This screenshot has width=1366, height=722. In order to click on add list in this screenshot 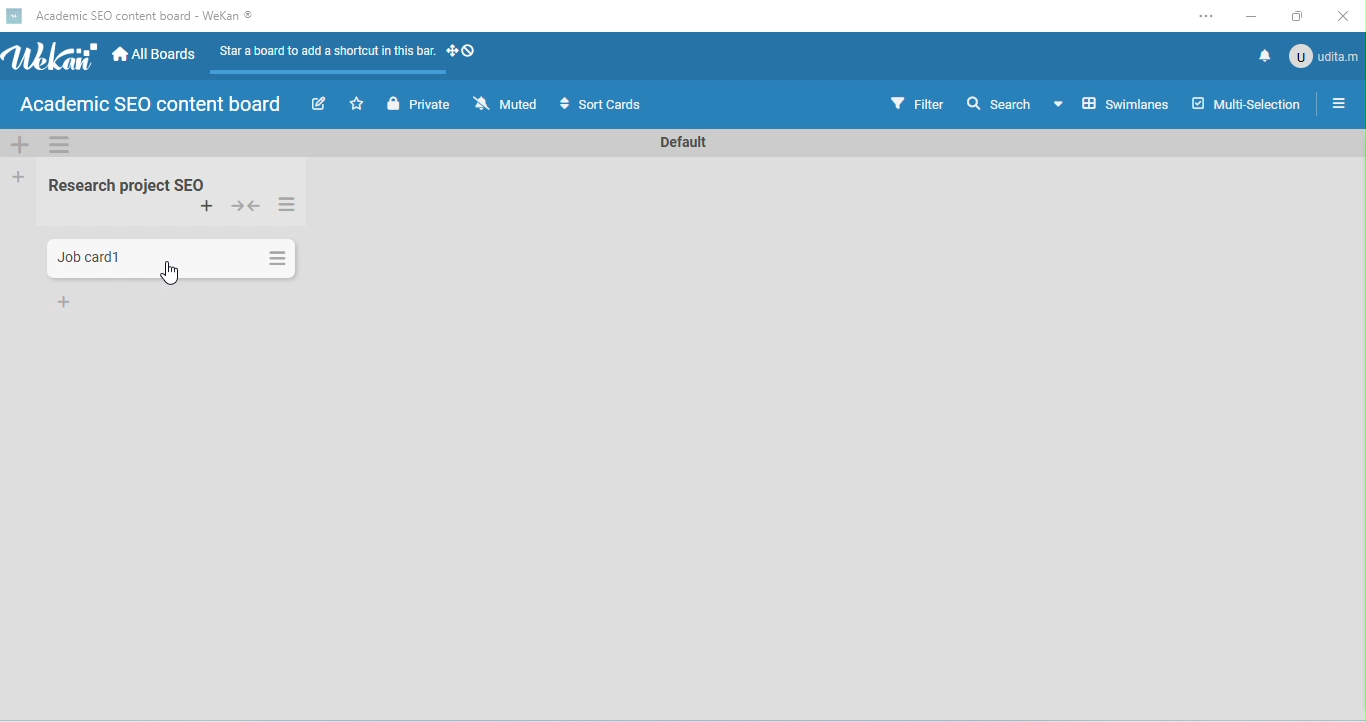, I will do `click(20, 178)`.